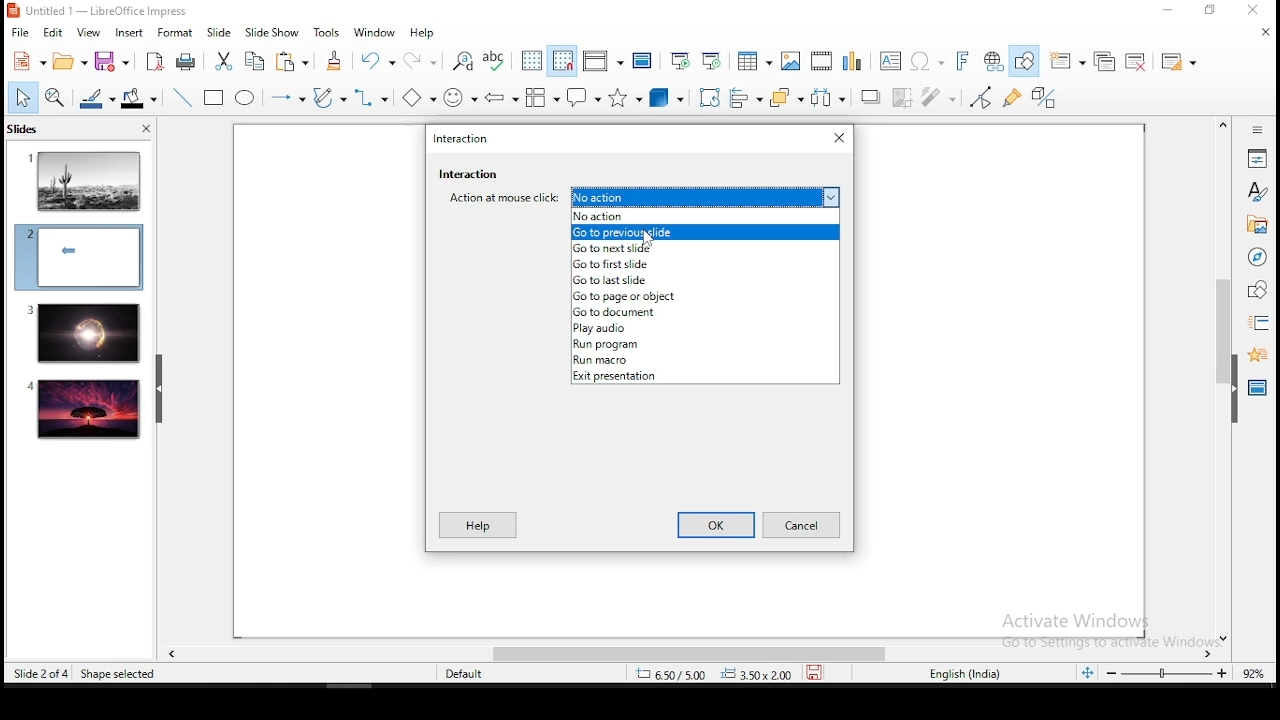 The width and height of the screenshot is (1280, 720). What do you see at coordinates (223, 60) in the screenshot?
I see `cut` at bounding box center [223, 60].